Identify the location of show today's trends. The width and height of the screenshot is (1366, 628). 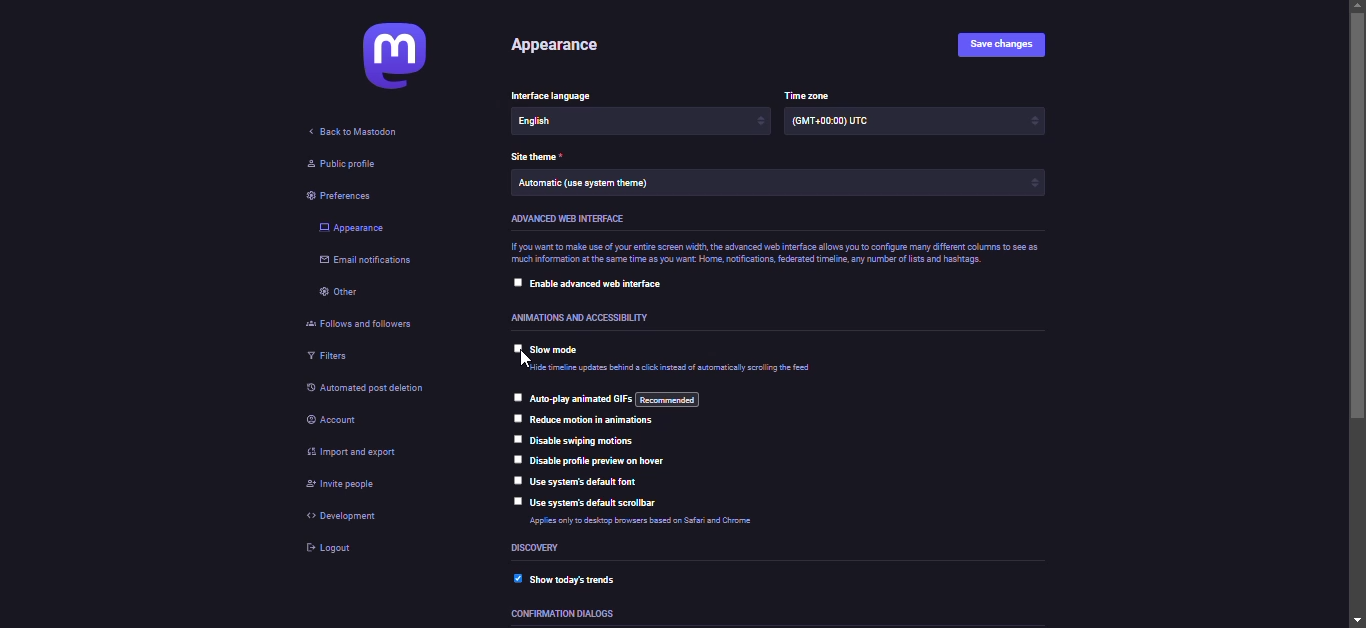
(583, 579).